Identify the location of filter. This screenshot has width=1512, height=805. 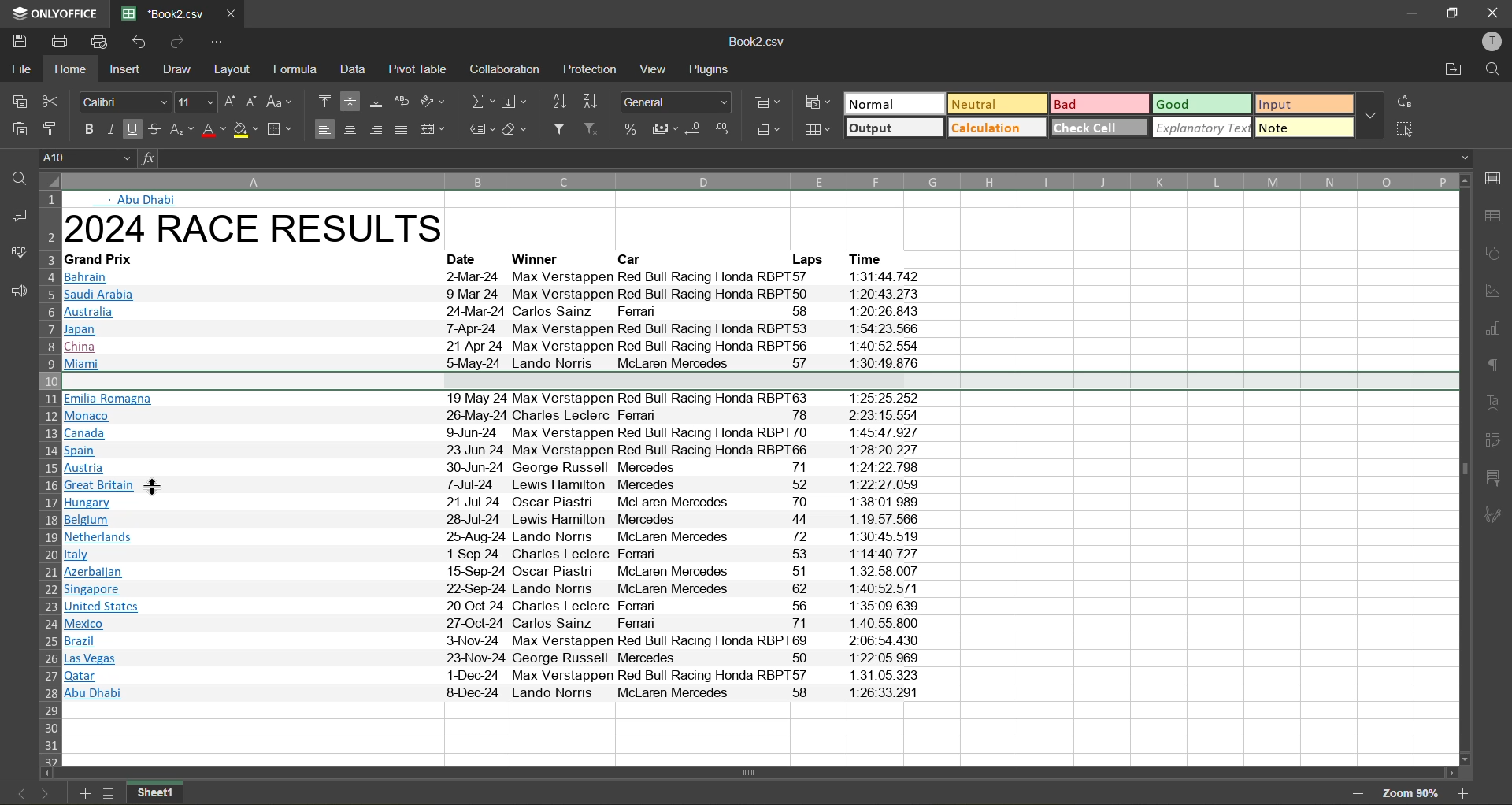
(558, 130).